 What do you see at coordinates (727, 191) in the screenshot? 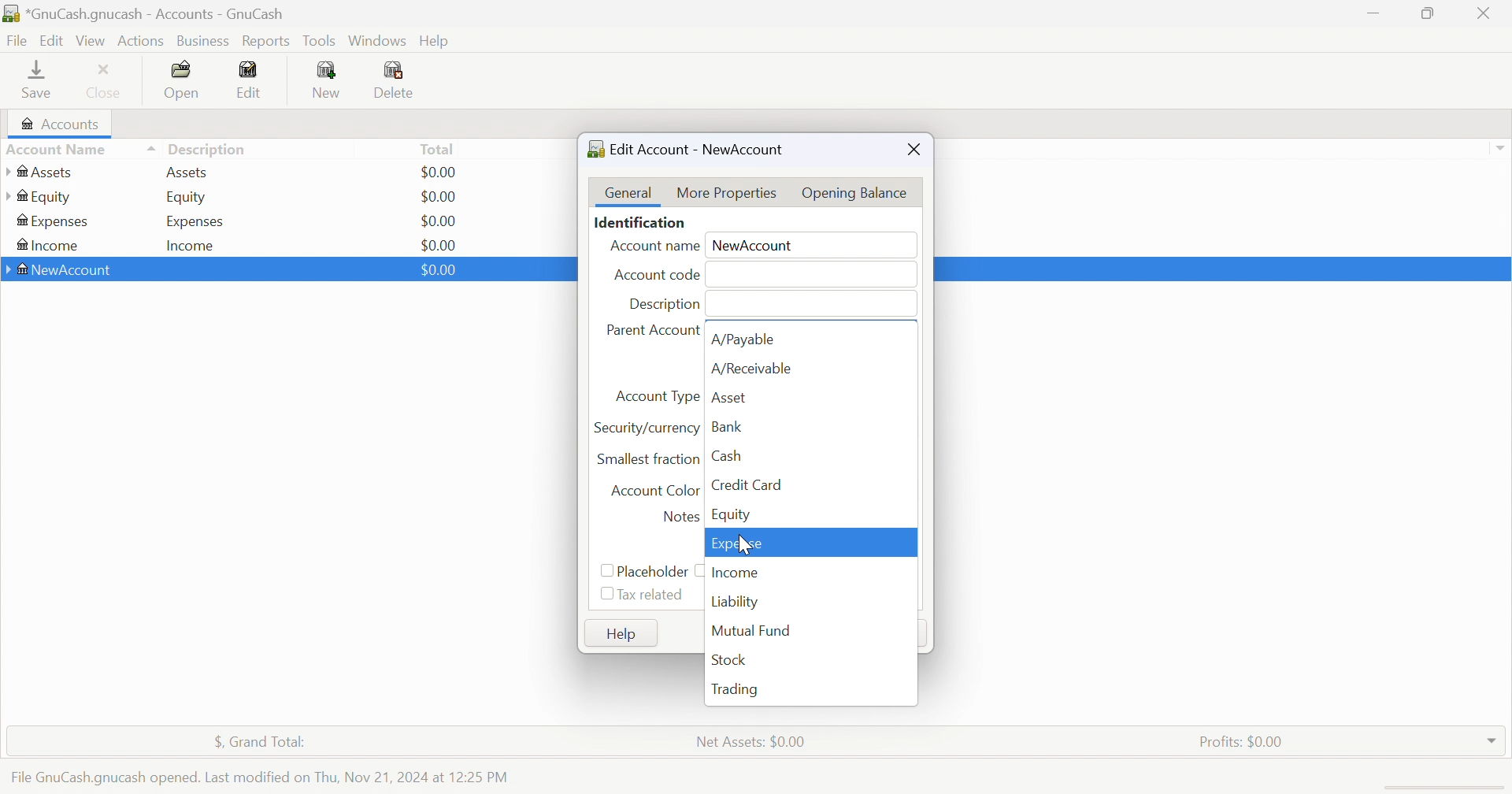
I see `More Properties` at bounding box center [727, 191].